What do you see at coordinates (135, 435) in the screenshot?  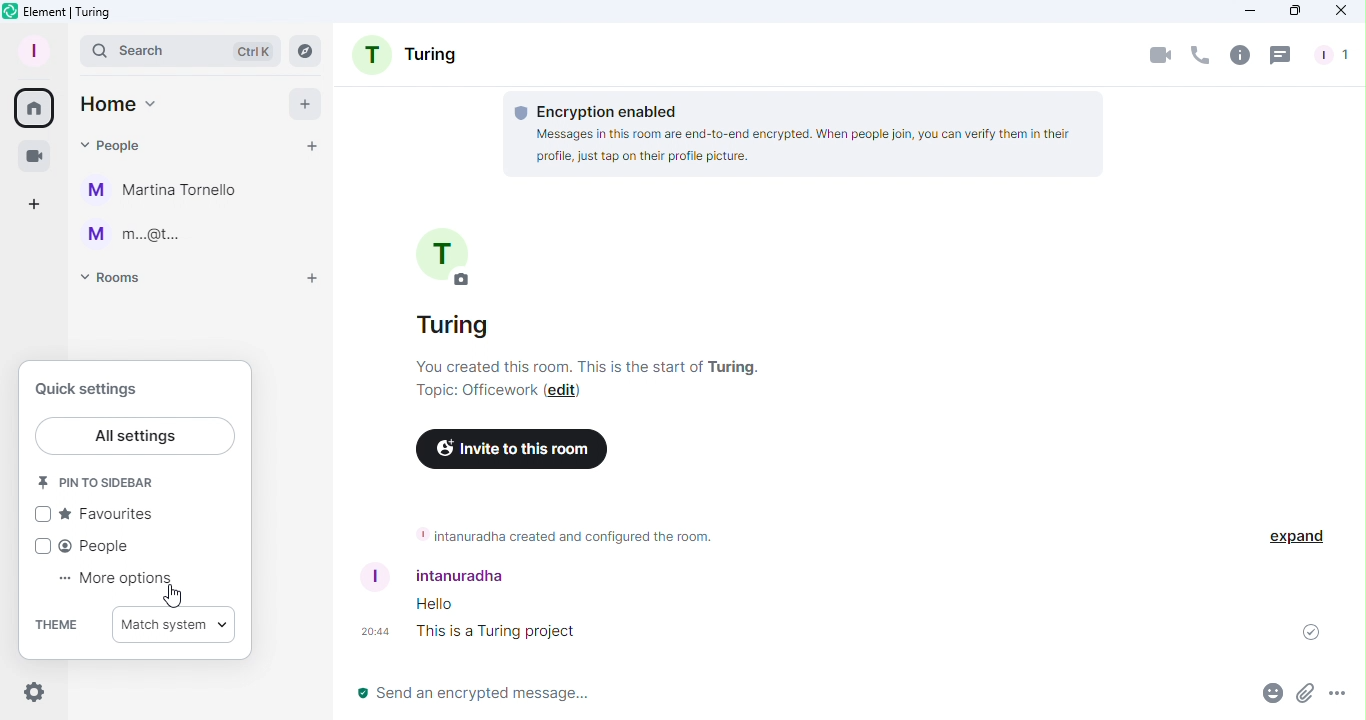 I see `All settings` at bounding box center [135, 435].